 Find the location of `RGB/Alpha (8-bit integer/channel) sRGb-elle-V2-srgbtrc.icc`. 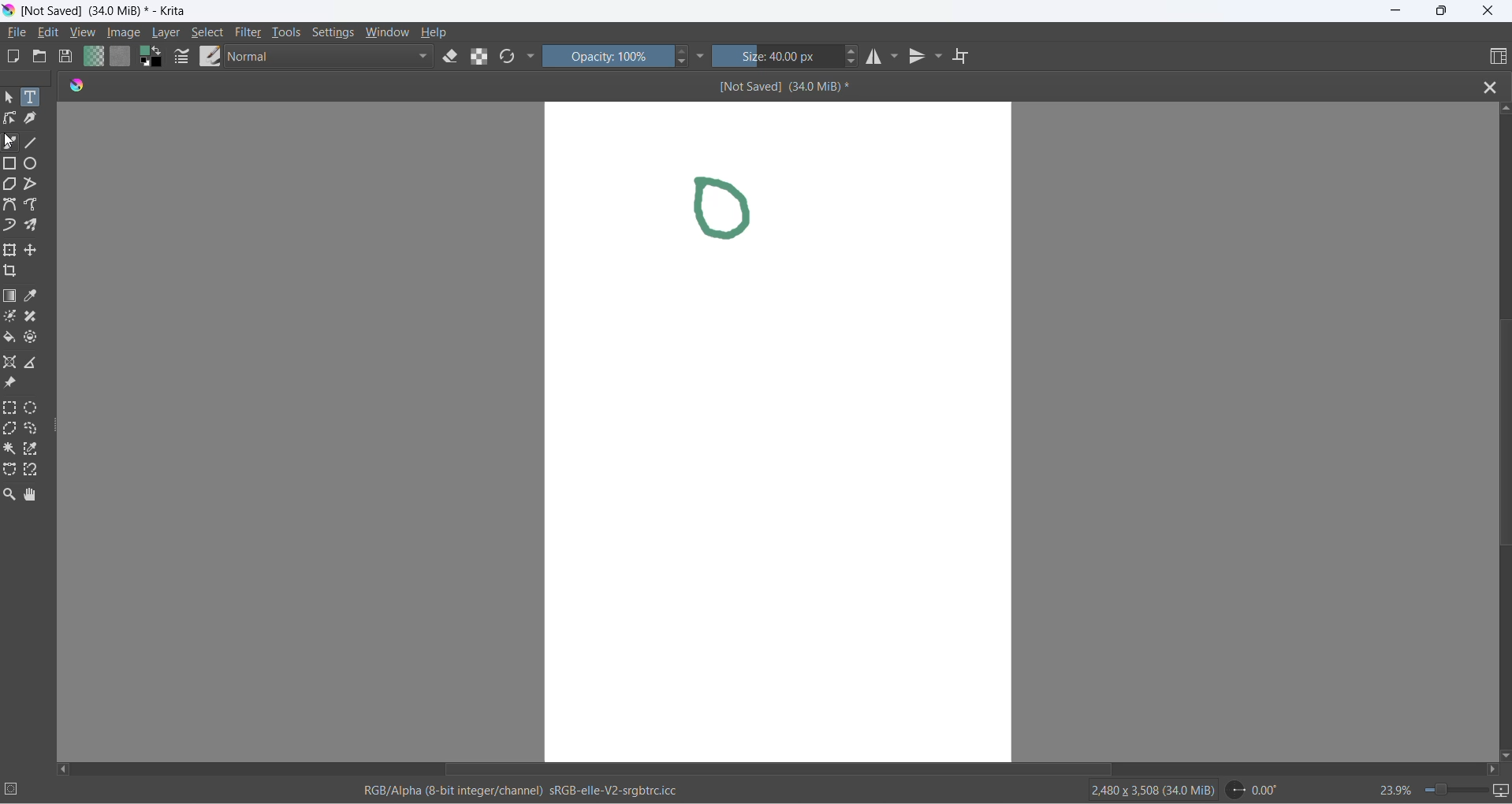

RGB/Alpha (8-bit integer/channel) sRGb-elle-V2-srgbtrc.icc is located at coordinates (524, 792).